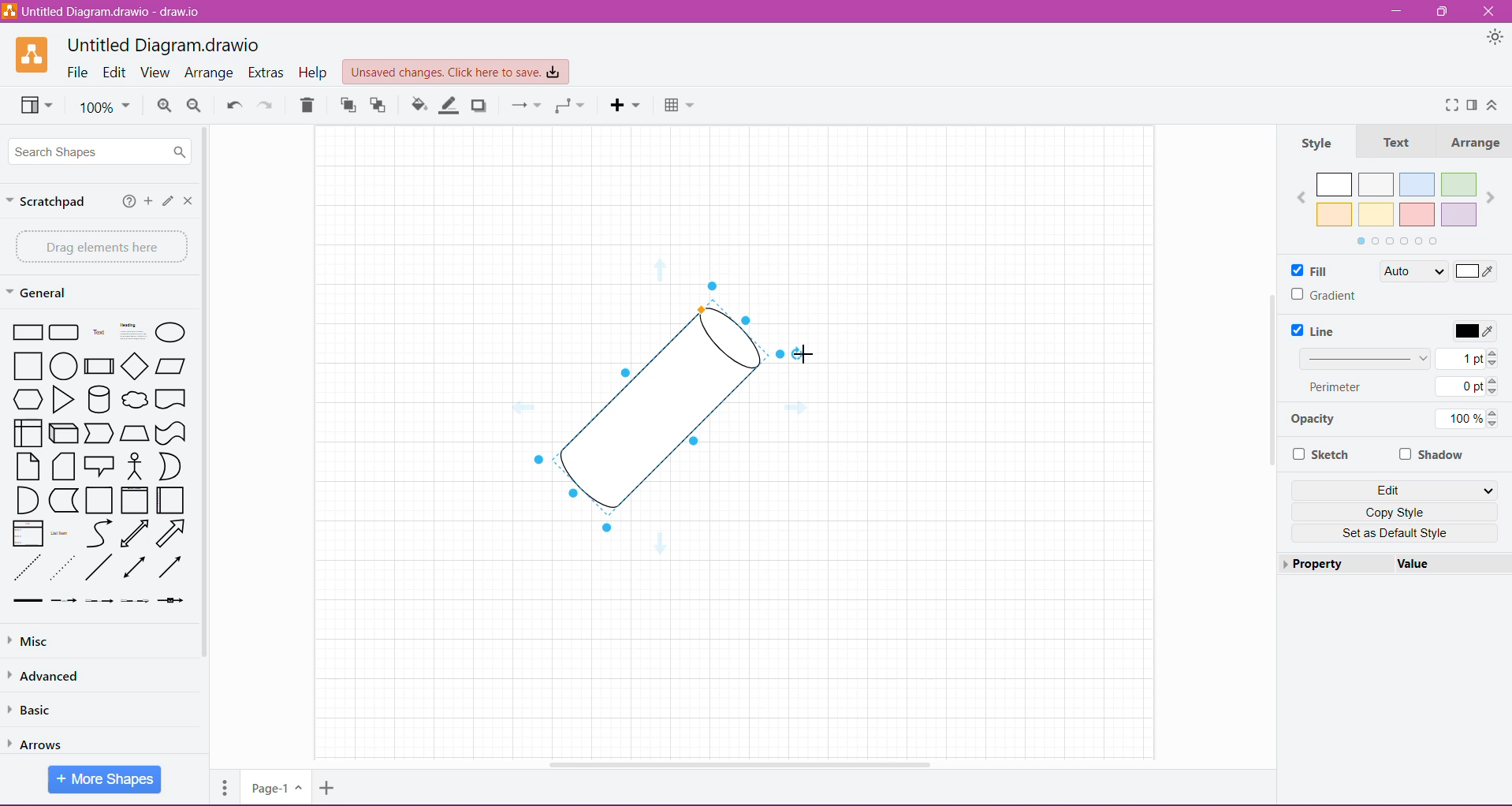  I want to click on Extras, so click(266, 72).